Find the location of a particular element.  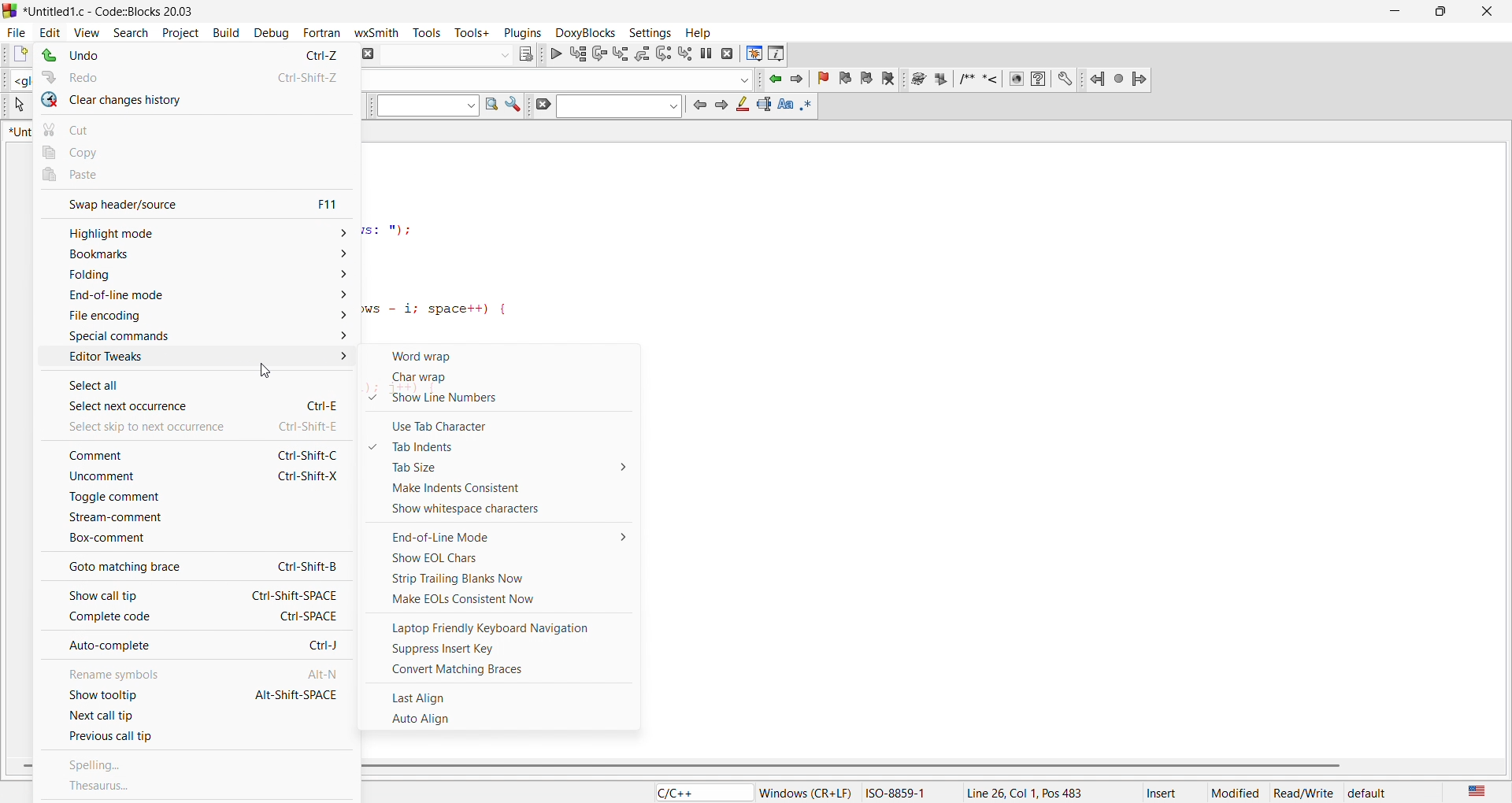

folding is located at coordinates (195, 279).